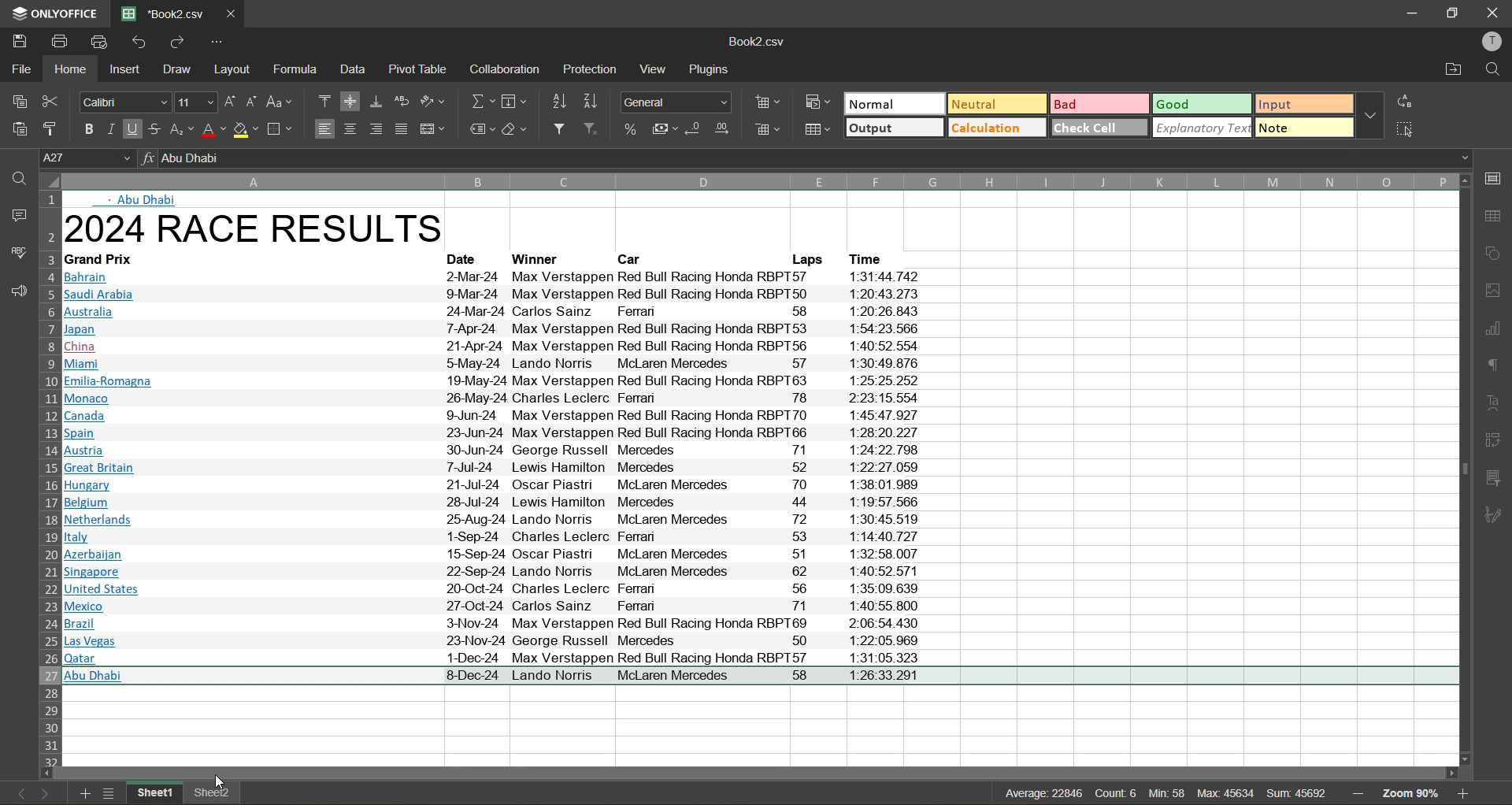  Describe the element at coordinates (19, 128) in the screenshot. I see `paste` at that location.